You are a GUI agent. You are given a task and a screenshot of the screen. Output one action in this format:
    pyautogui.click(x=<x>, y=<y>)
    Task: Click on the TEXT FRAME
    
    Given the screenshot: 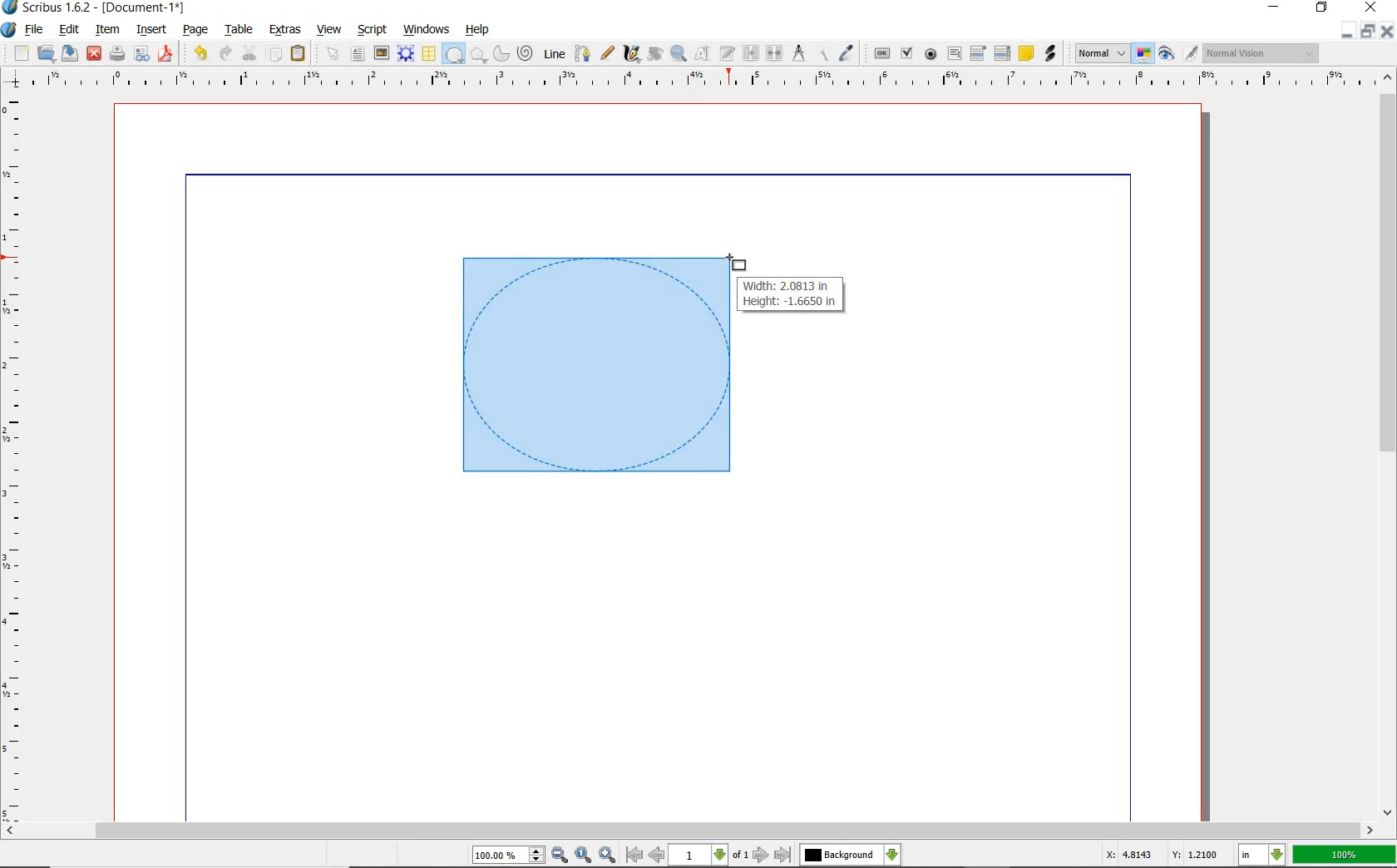 What is the action you would take?
    pyautogui.click(x=358, y=53)
    